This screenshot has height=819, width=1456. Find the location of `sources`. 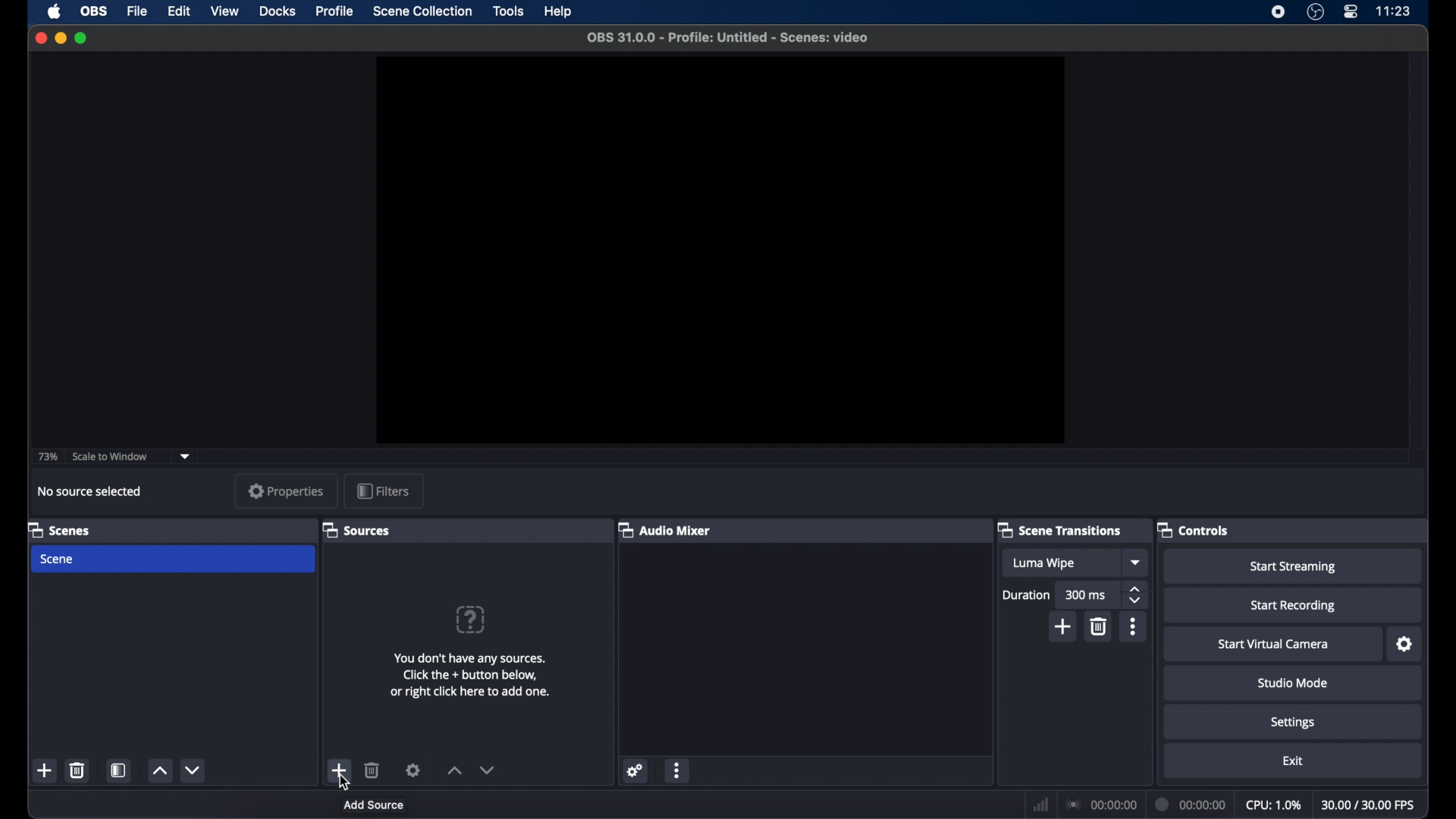

sources is located at coordinates (356, 529).